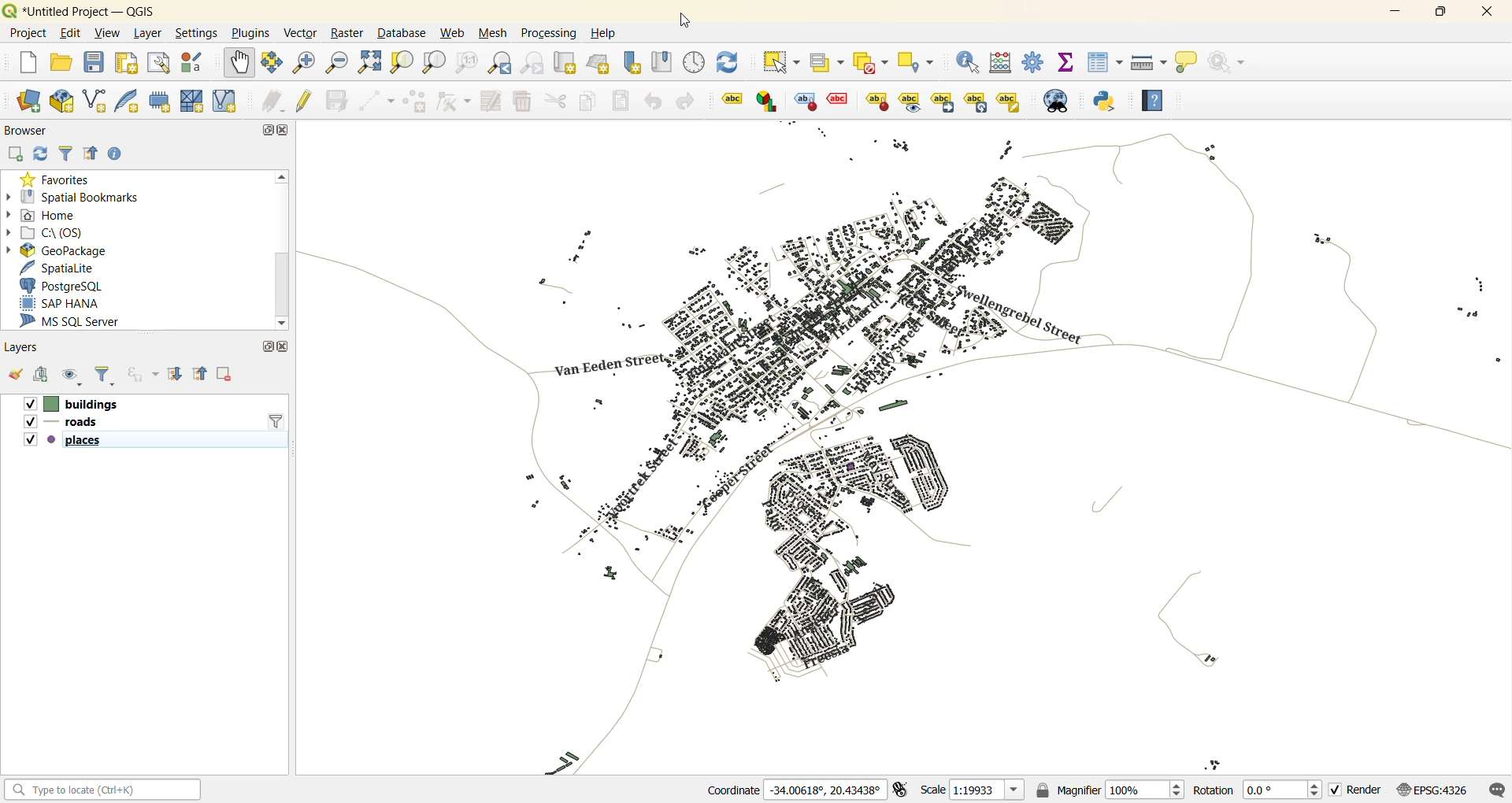 The width and height of the screenshot is (1512, 803). I want to click on zoom selection , so click(402, 65).